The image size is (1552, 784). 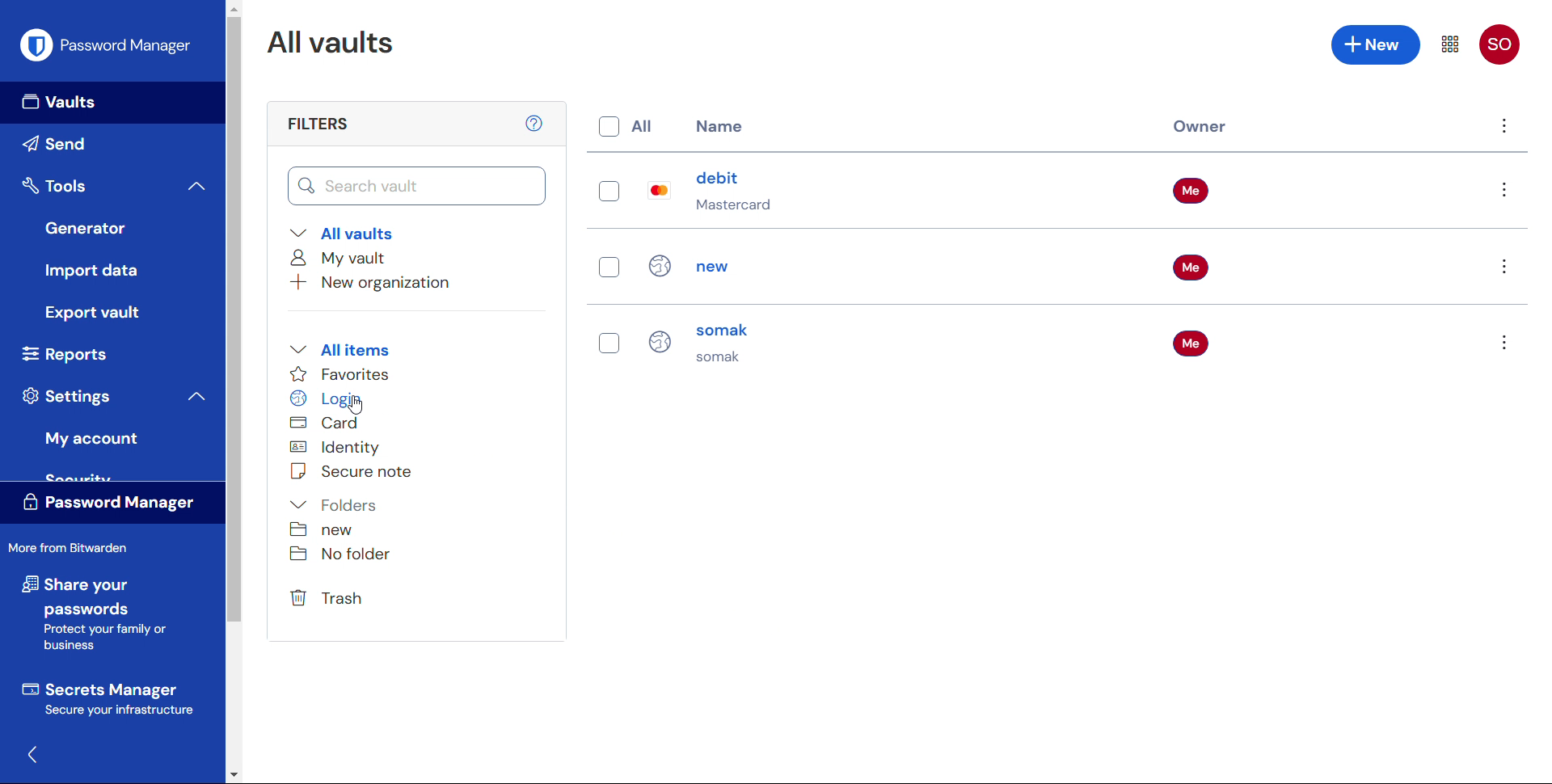 I want to click on Add new entry , so click(x=1376, y=46).